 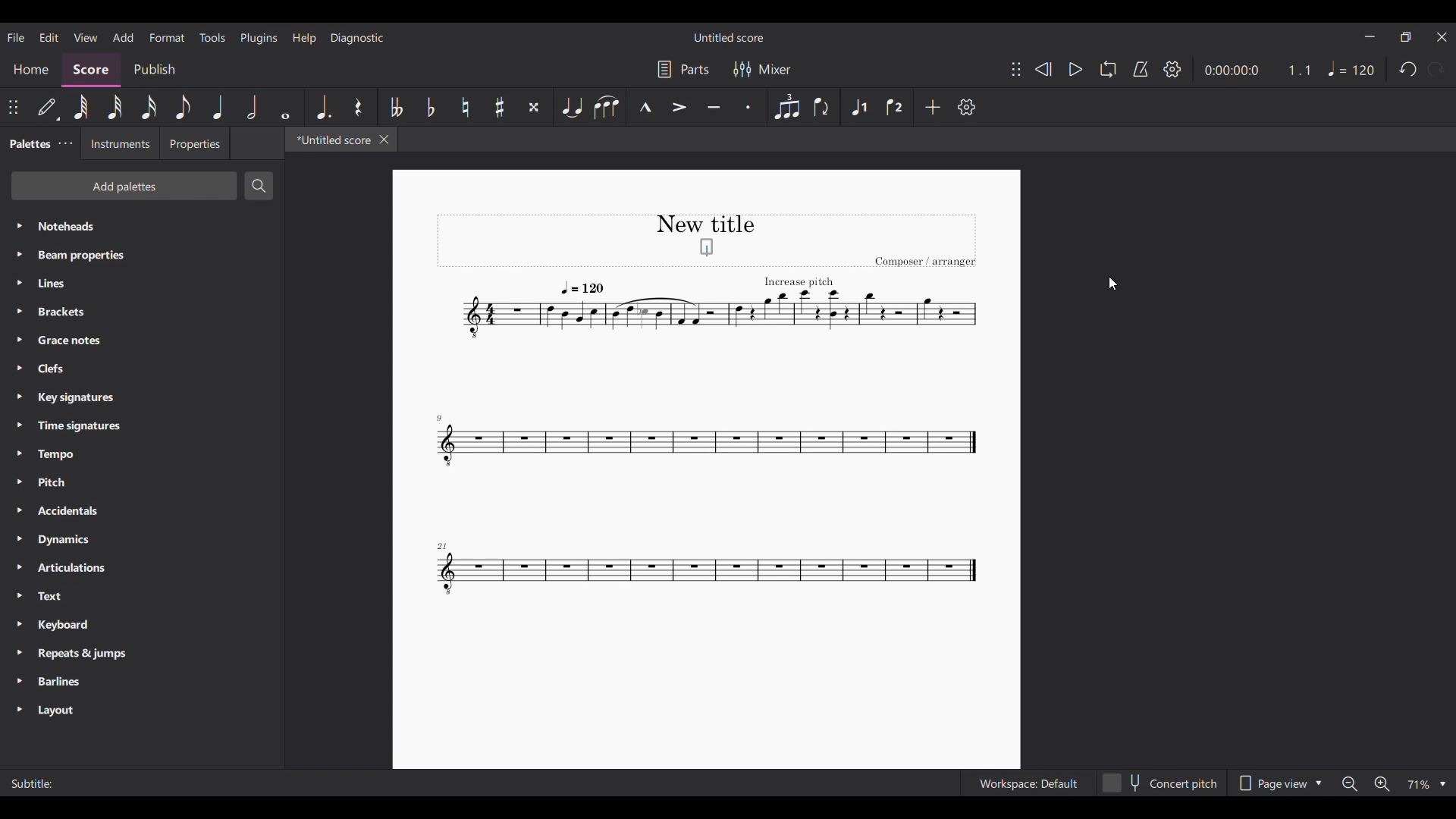 What do you see at coordinates (47, 107) in the screenshot?
I see `Default` at bounding box center [47, 107].